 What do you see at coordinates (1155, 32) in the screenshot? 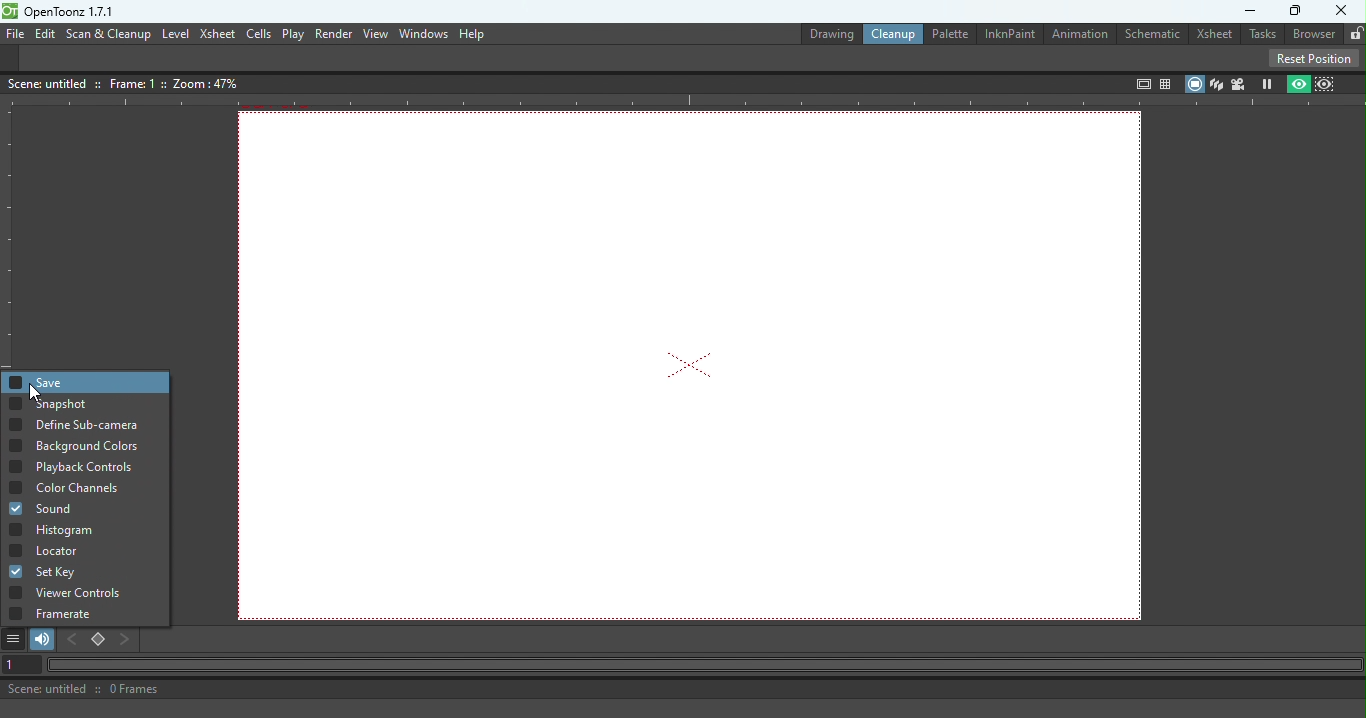
I see `Schematic` at bounding box center [1155, 32].